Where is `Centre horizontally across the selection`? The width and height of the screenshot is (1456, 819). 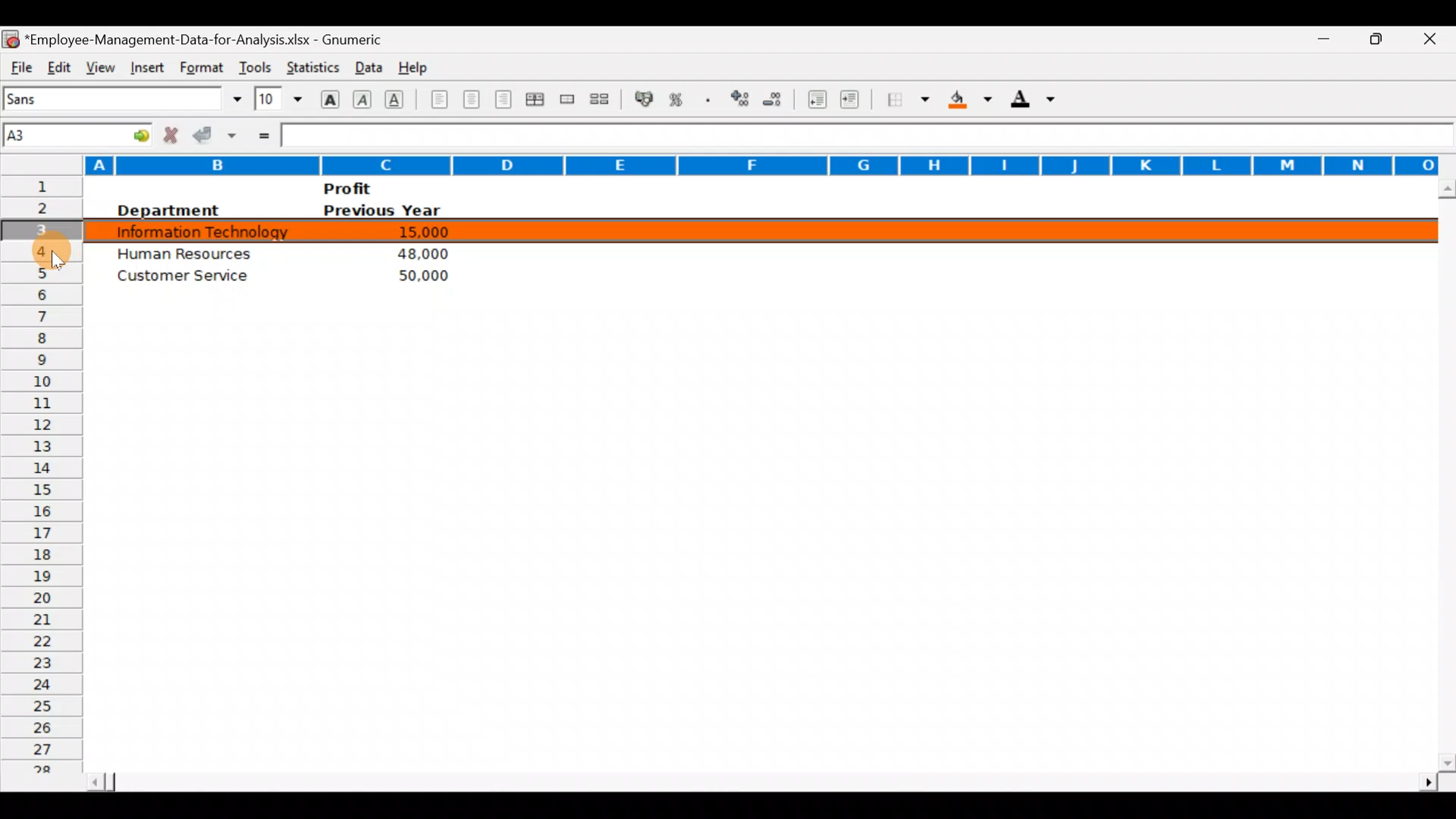
Centre horizontally across the selection is located at coordinates (538, 102).